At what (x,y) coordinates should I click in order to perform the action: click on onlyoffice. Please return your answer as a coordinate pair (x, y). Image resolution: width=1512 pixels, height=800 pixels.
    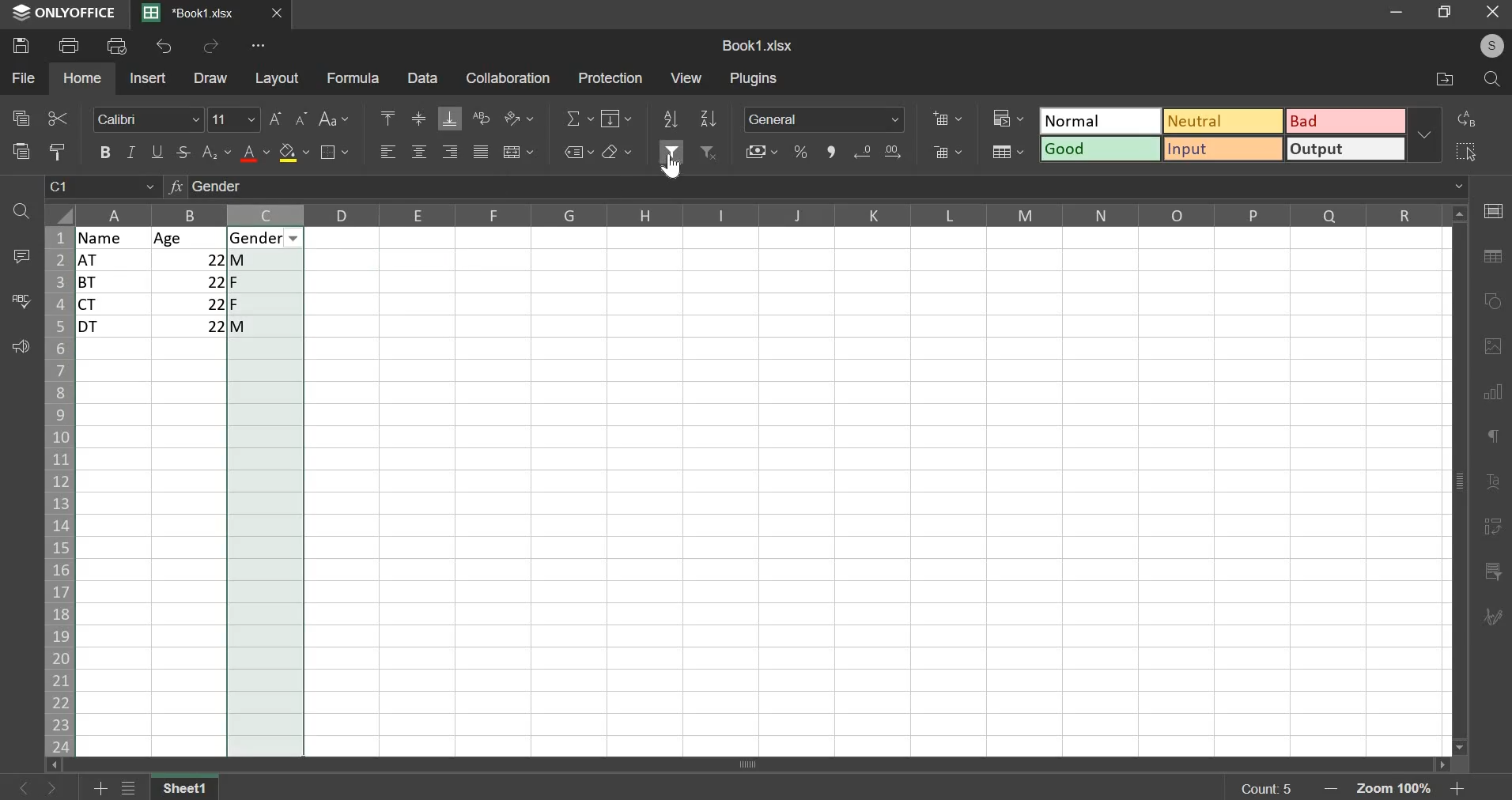
    Looking at the image, I should click on (65, 14).